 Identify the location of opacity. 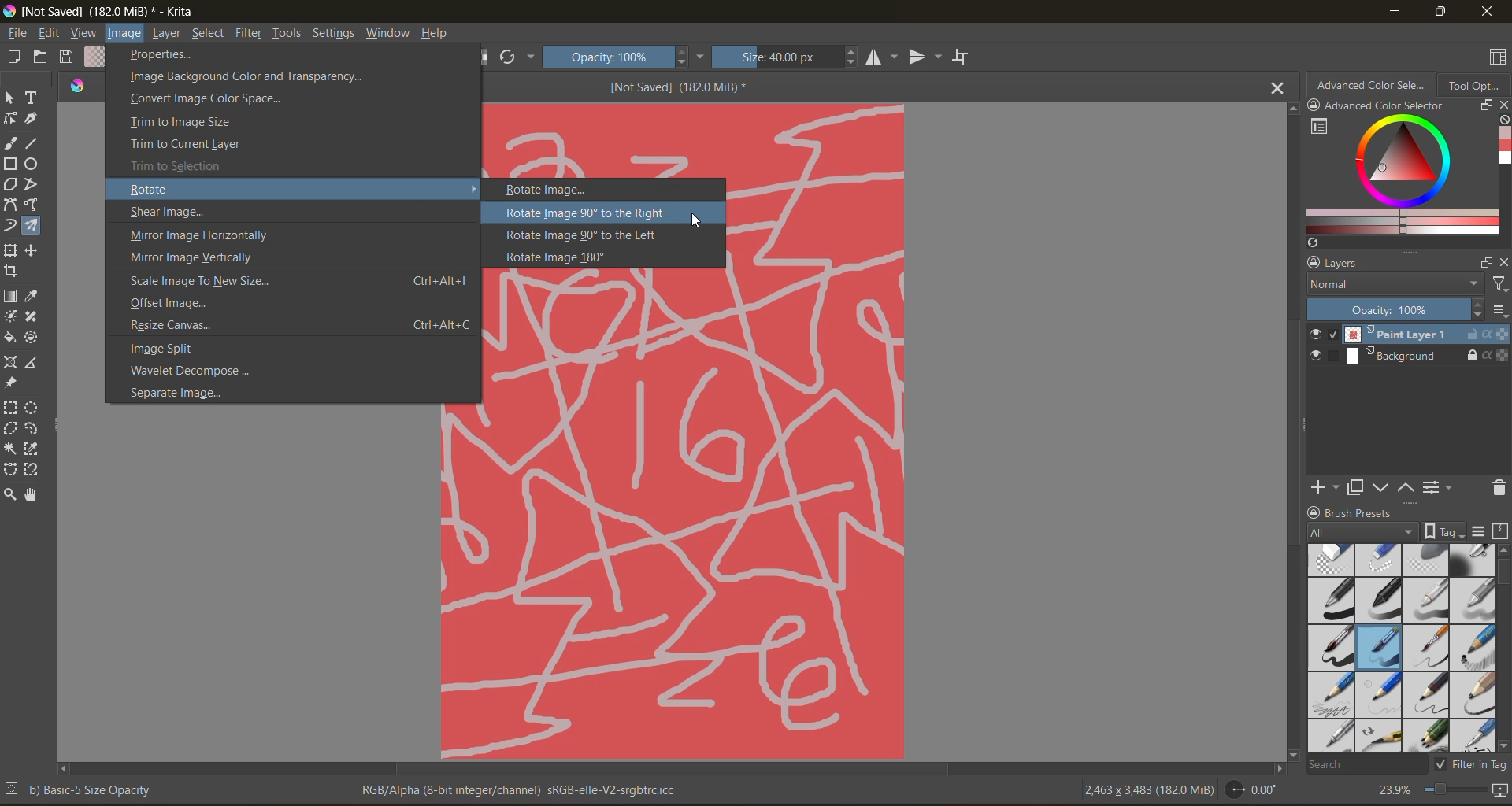
(628, 55).